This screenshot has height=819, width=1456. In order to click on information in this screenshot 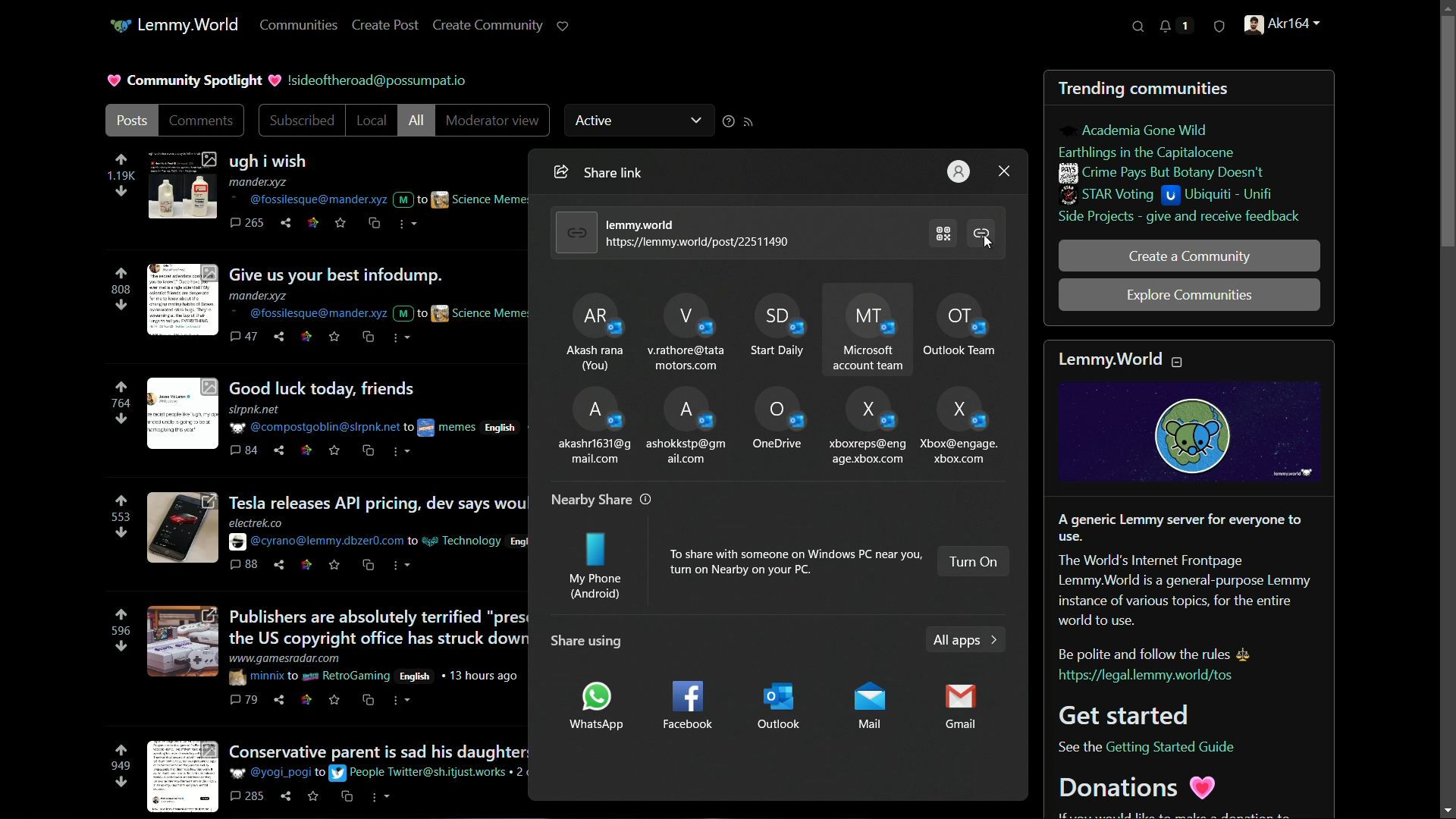, I will do `click(647, 499)`.